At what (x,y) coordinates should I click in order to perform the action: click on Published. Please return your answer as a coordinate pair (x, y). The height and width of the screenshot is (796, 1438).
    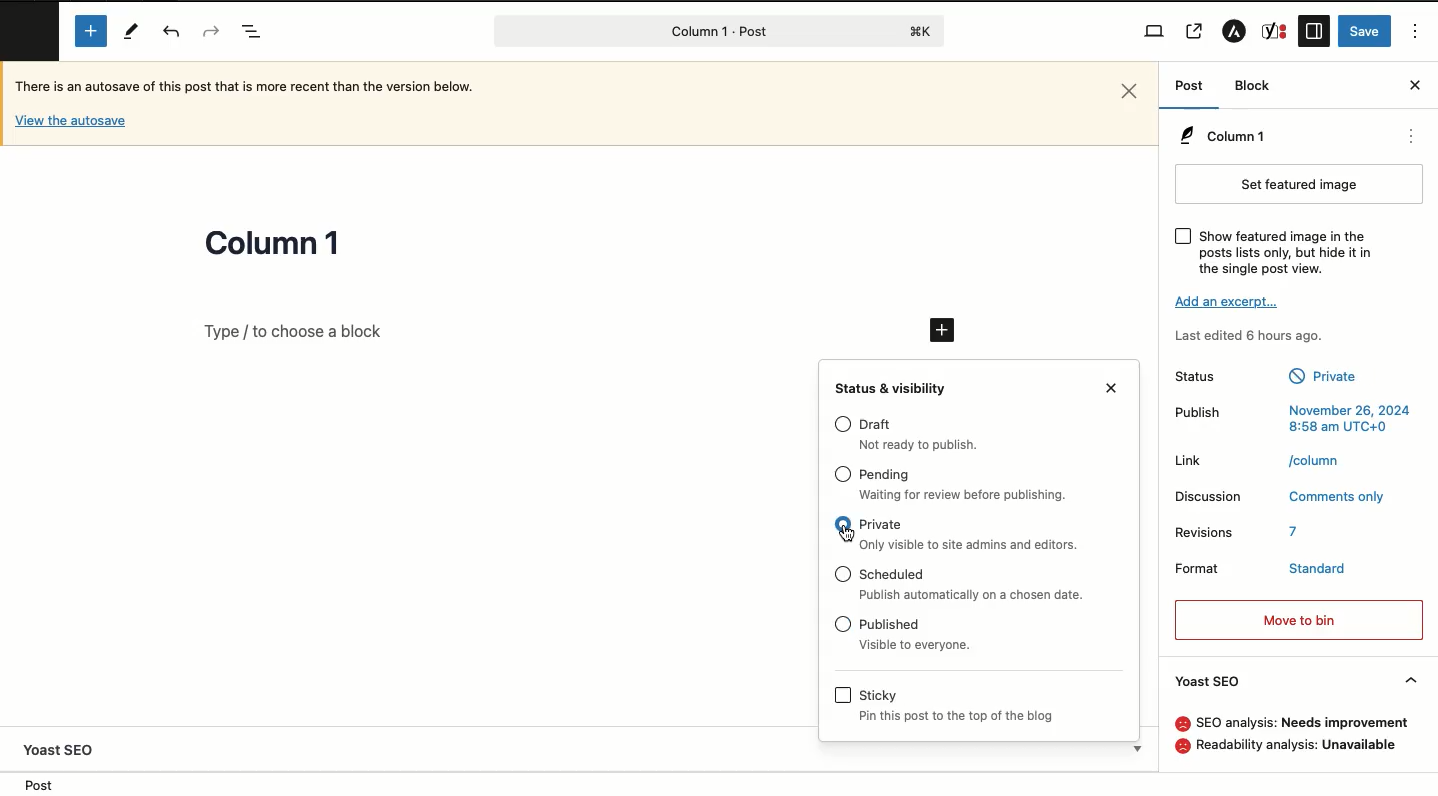
    Looking at the image, I should click on (918, 644).